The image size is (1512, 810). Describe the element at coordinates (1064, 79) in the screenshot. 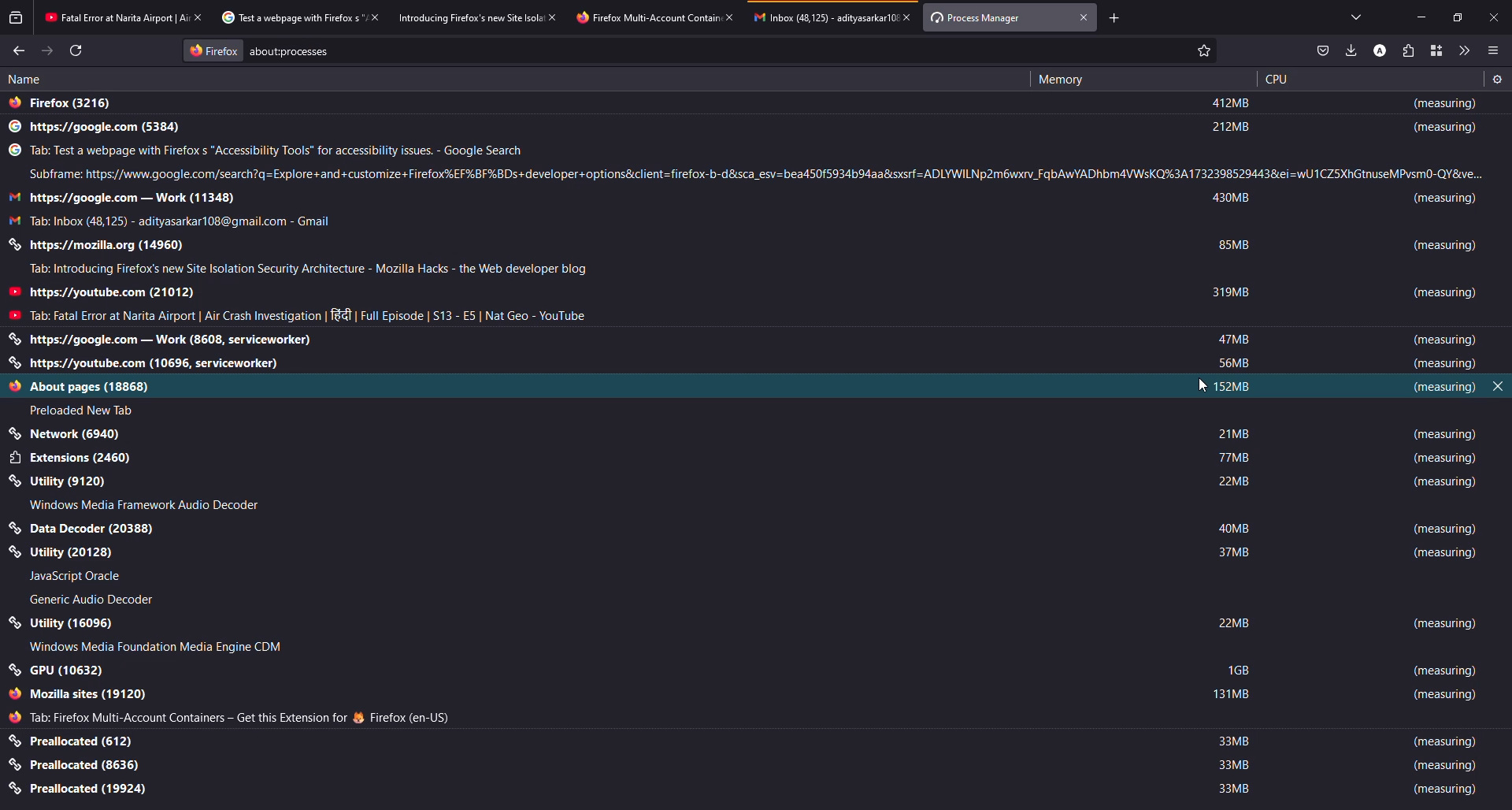

I see `memory` at that location.